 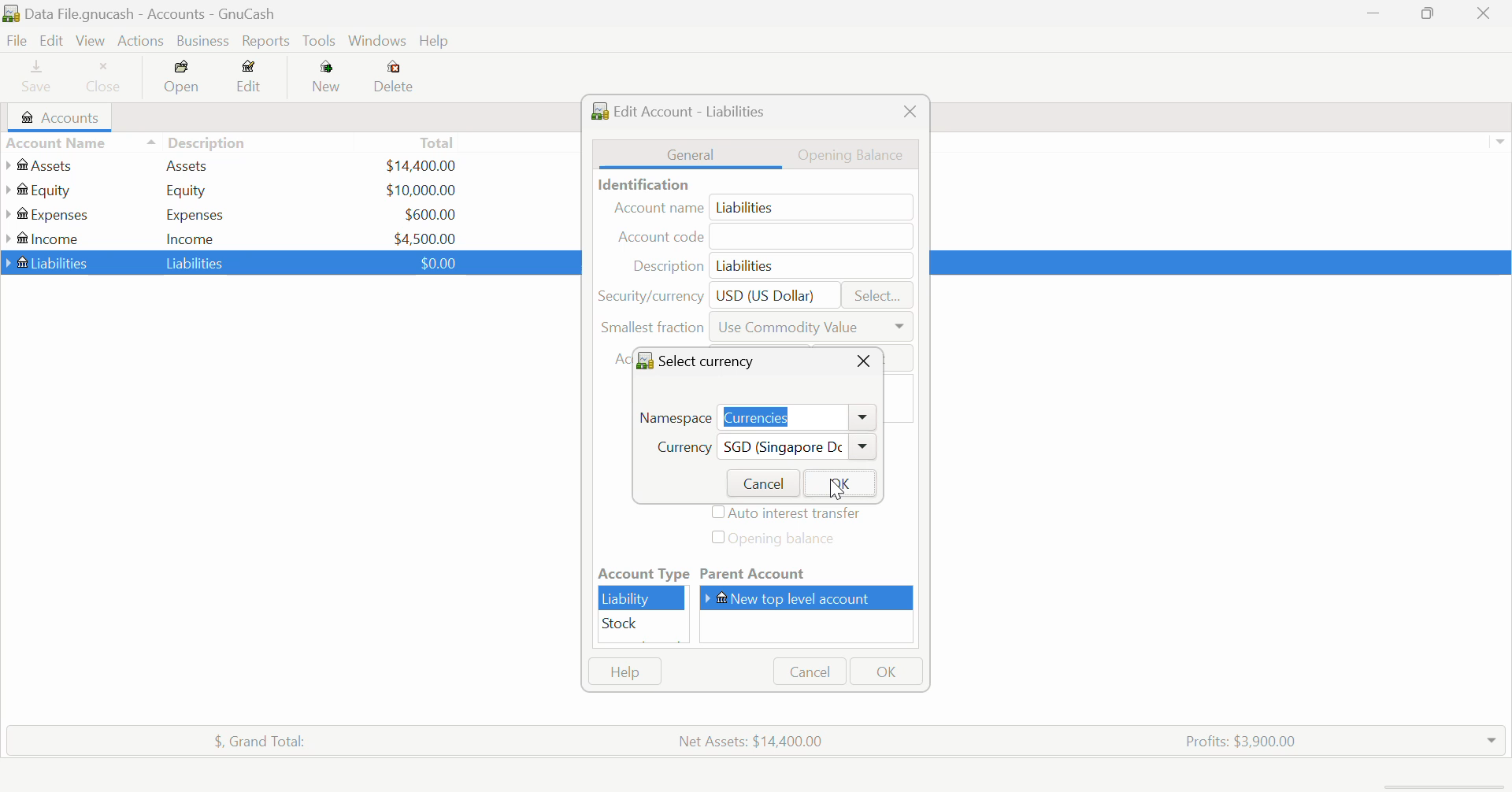 I want to click on Close, so click(x=105, y=79).